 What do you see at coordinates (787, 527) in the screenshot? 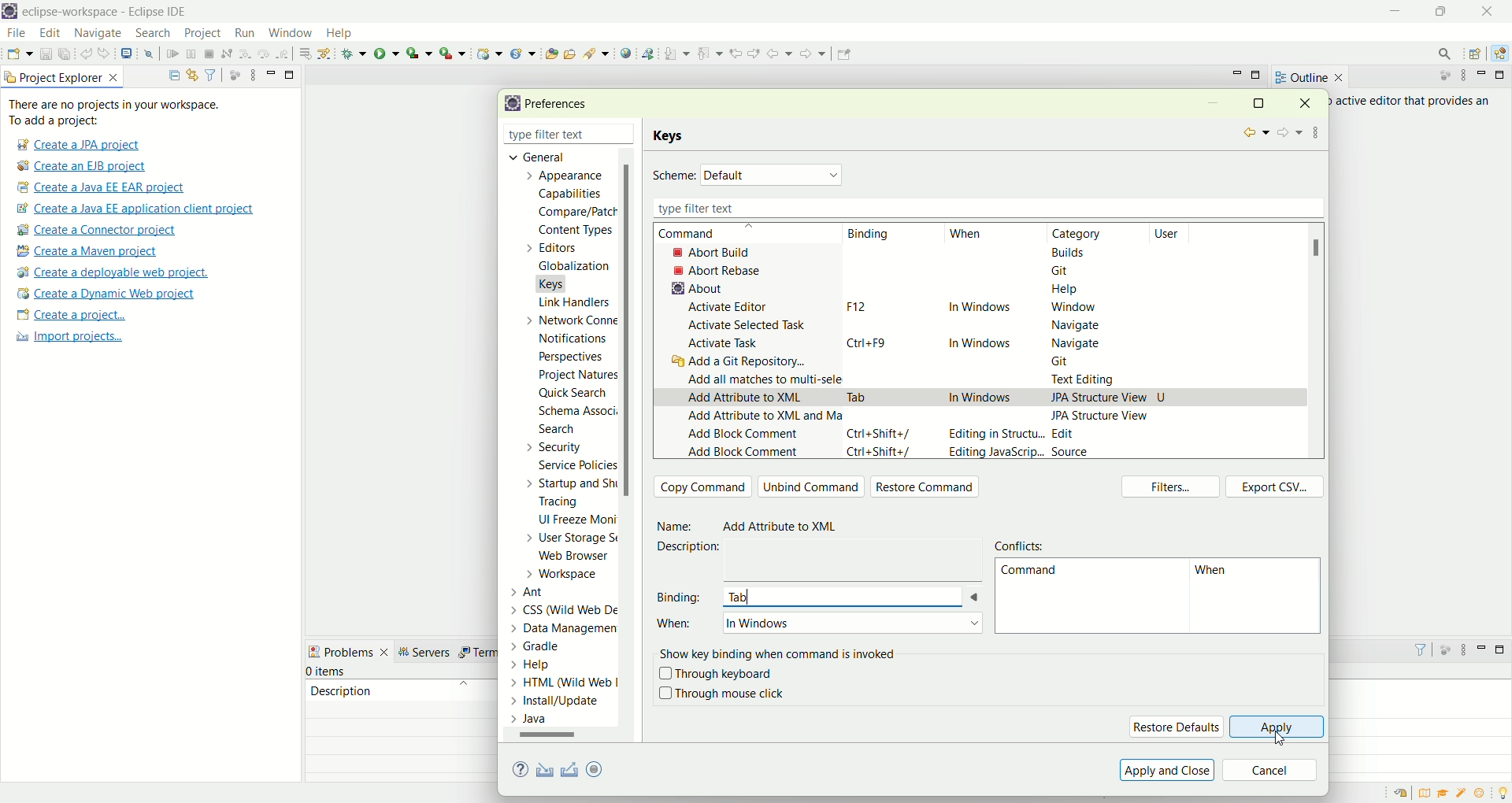
I see `Add Attribute to XML` at bounding box center [787, 527].